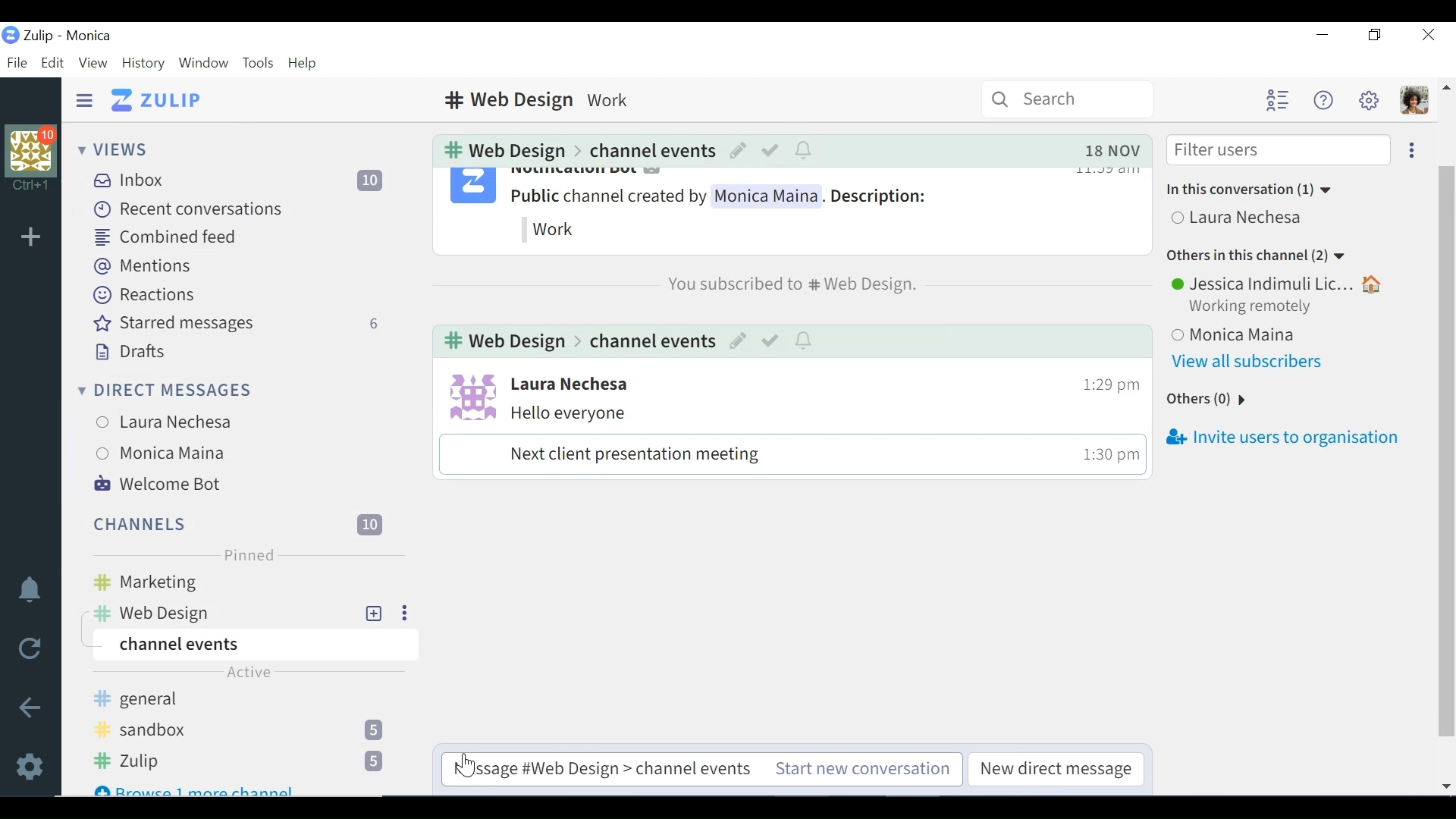 This screenshot has height=819, width=1456. Describe the element at coordinates (238, 324) in the screenshot. I see `Starred messages` at that location.